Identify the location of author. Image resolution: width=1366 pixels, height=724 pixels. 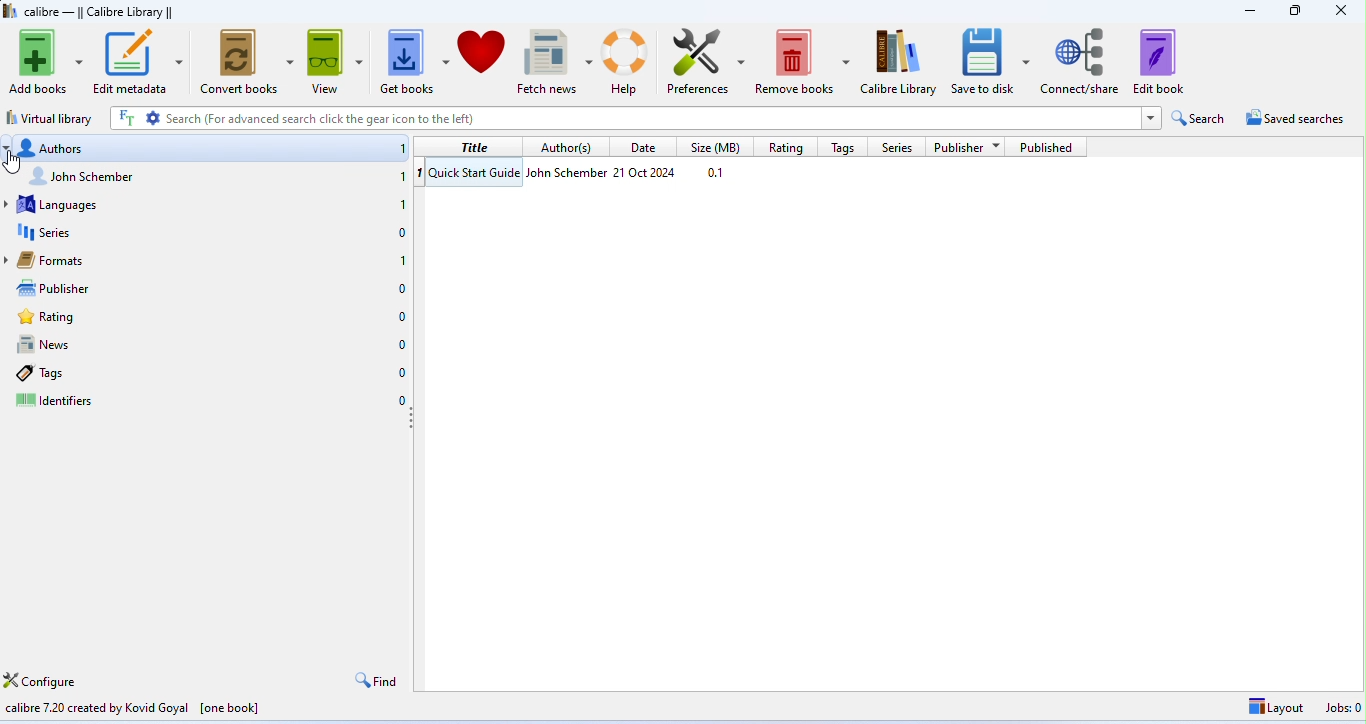
(567, 172).